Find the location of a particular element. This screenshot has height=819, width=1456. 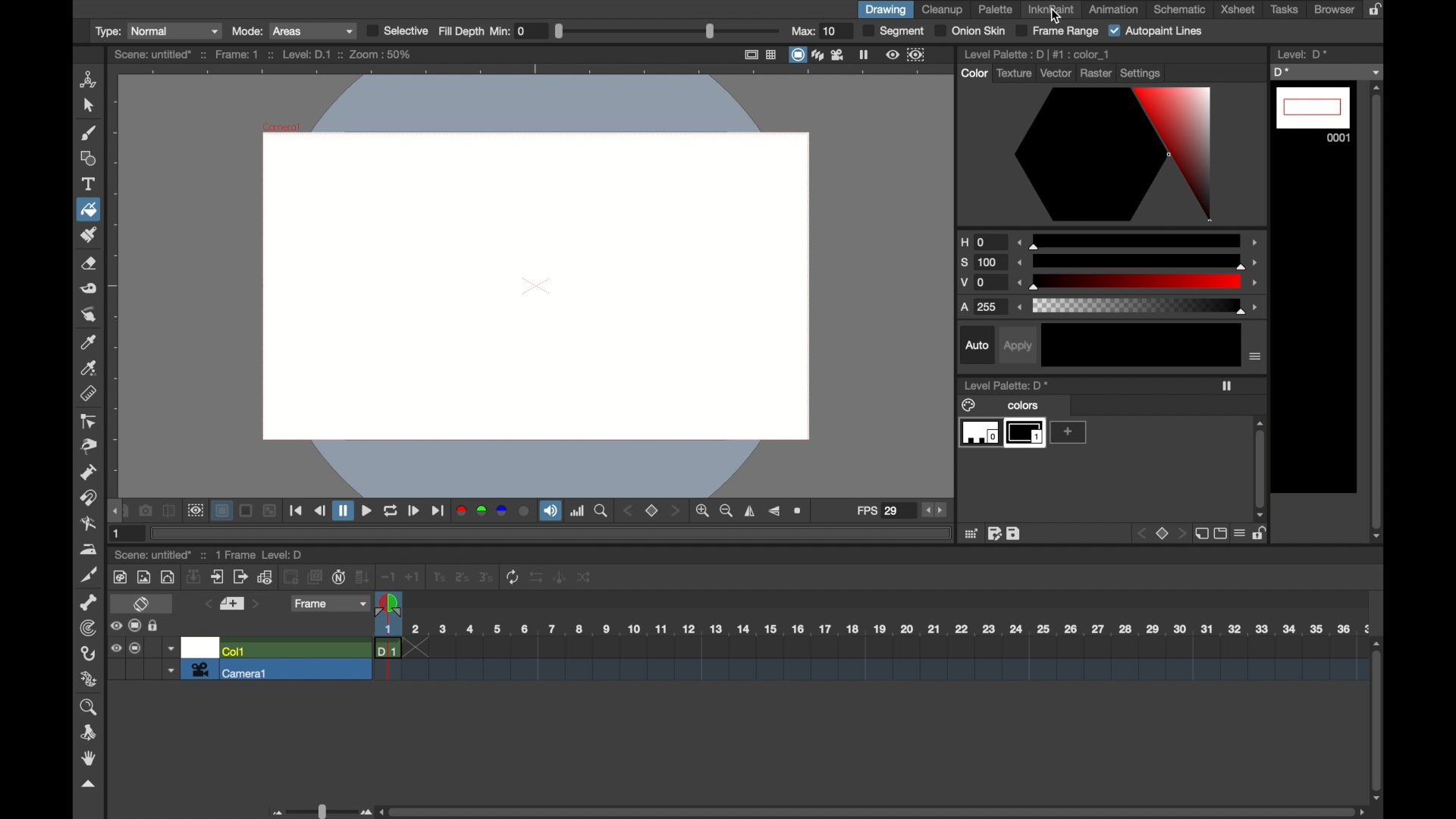

color wheel is located at coordinates (1114, 155).